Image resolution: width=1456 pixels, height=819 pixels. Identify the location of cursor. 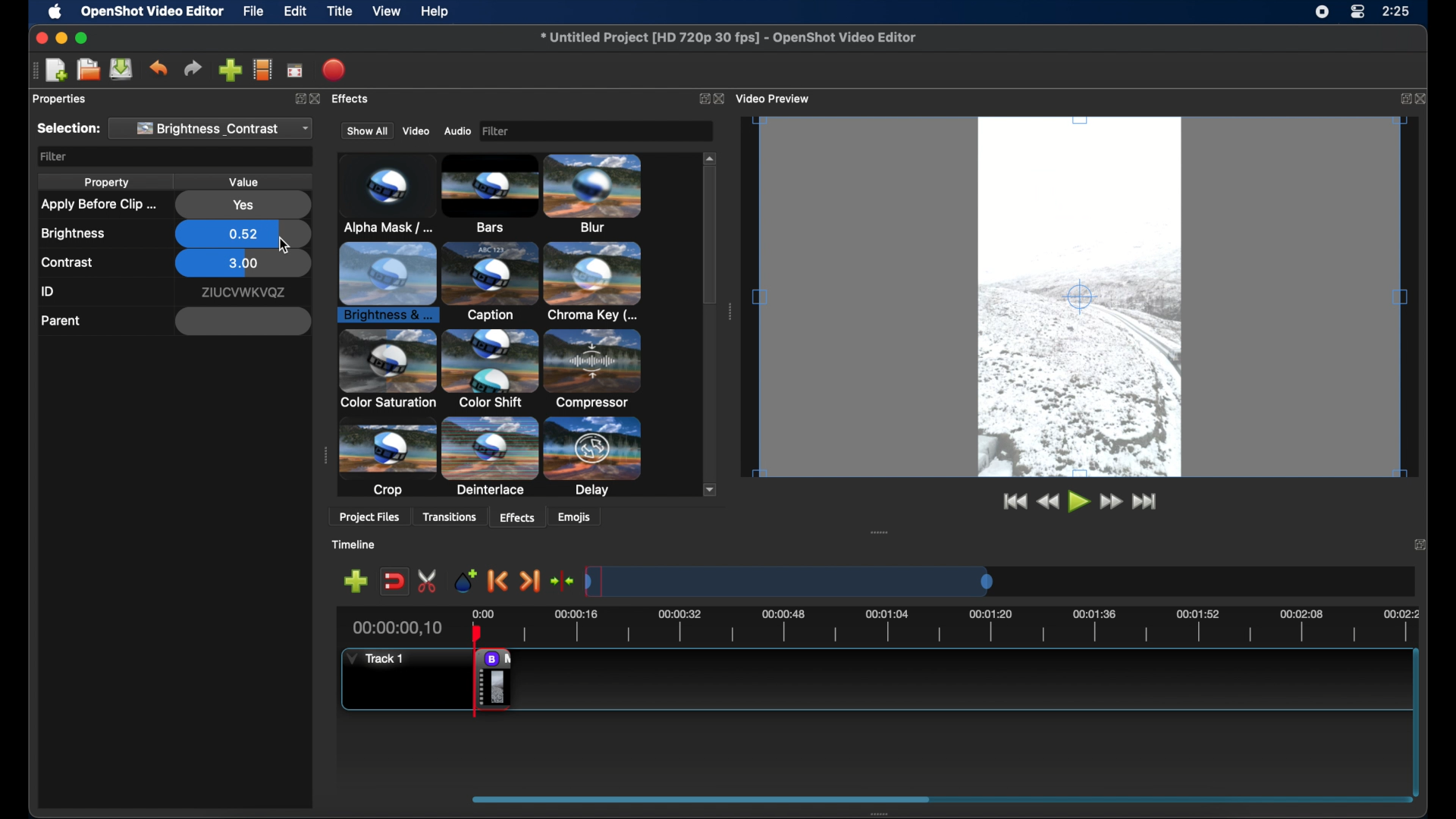
(285, 246).